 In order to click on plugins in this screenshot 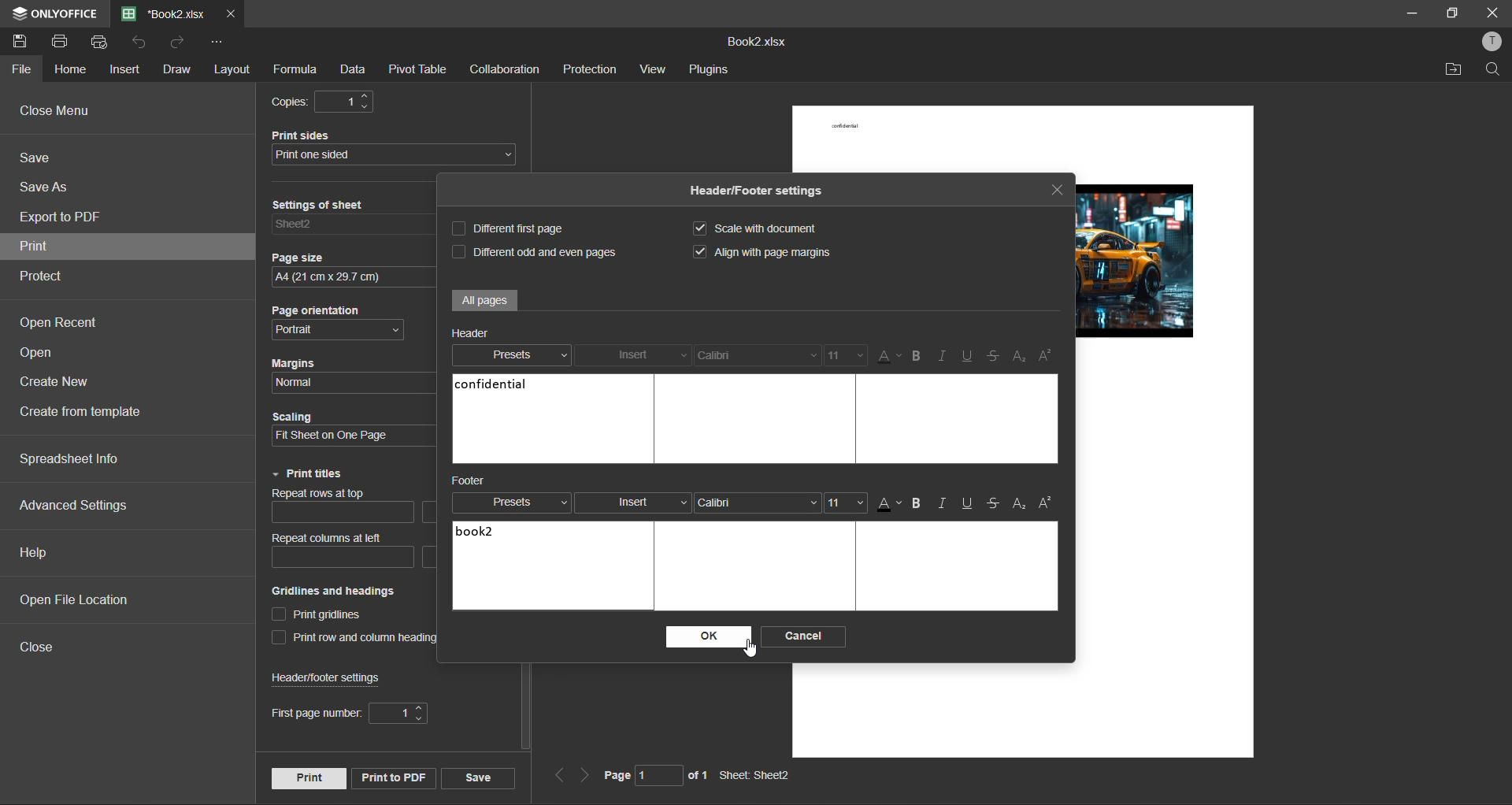, I will do `click(712, 70)`.